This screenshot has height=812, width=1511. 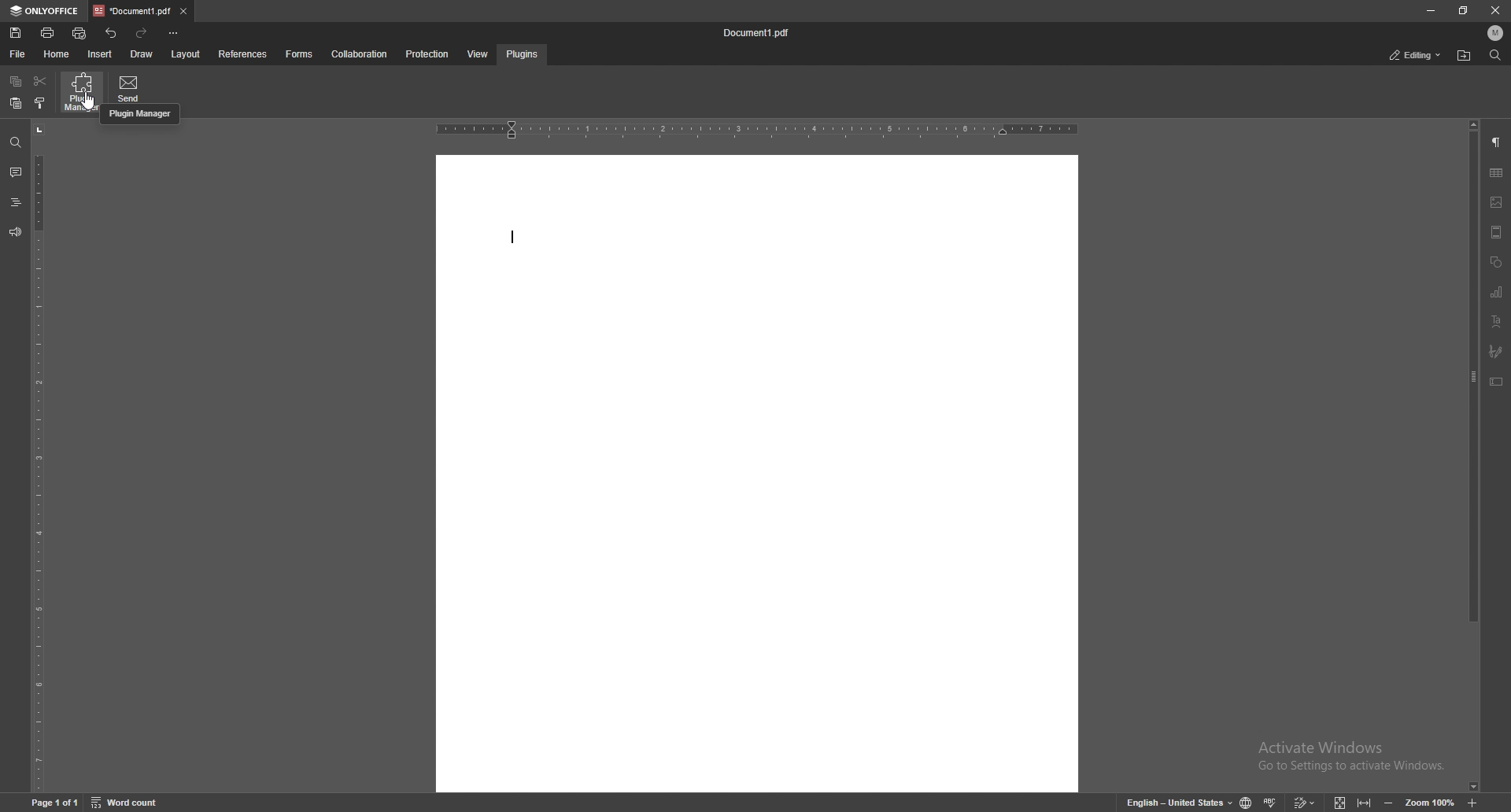 I want to click on locate file, so click(x=1463, y=56).